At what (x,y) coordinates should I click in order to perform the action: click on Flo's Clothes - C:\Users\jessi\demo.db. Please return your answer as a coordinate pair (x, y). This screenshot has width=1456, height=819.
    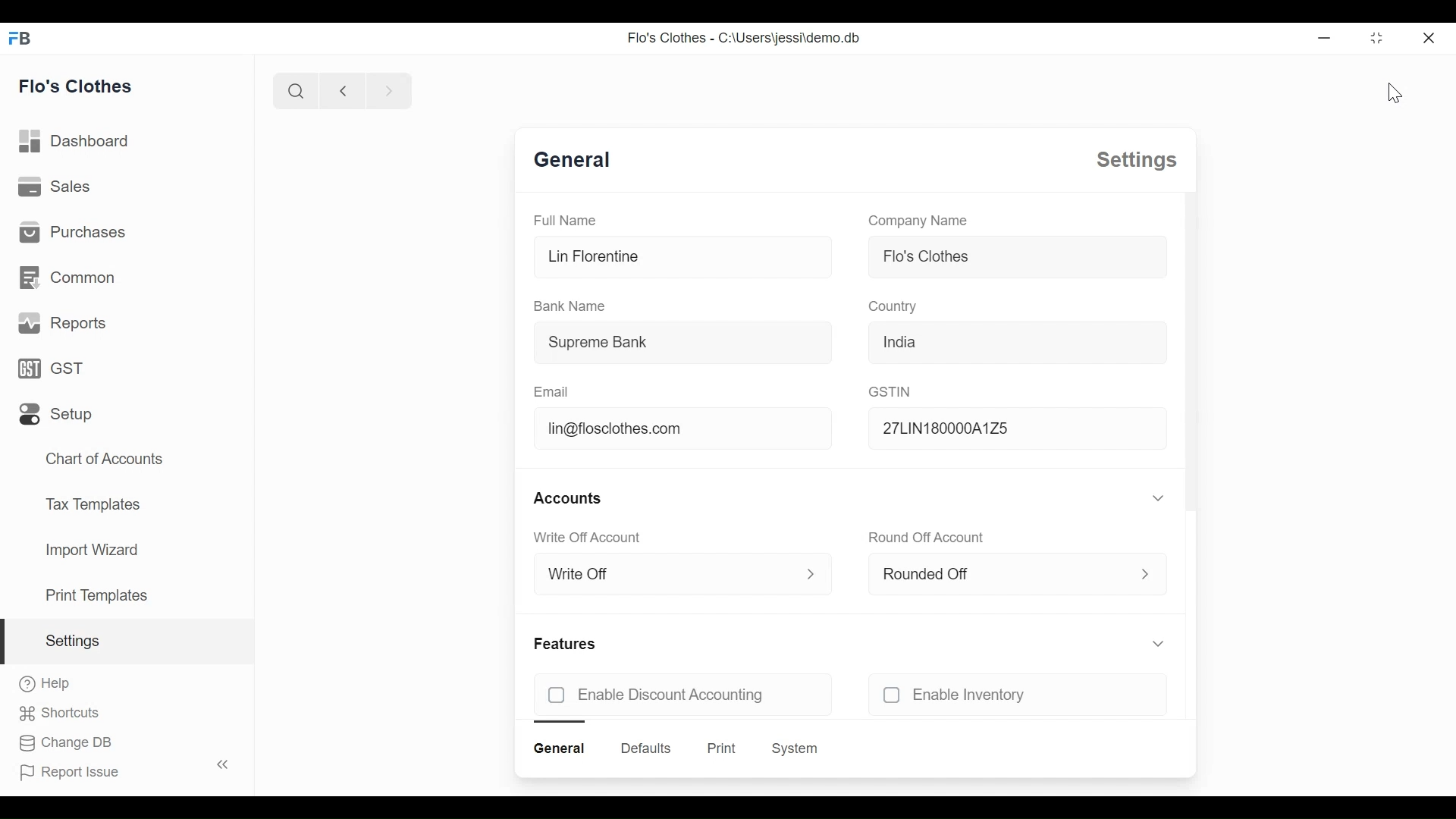
    Looking at the image, I should click on (745, 37).